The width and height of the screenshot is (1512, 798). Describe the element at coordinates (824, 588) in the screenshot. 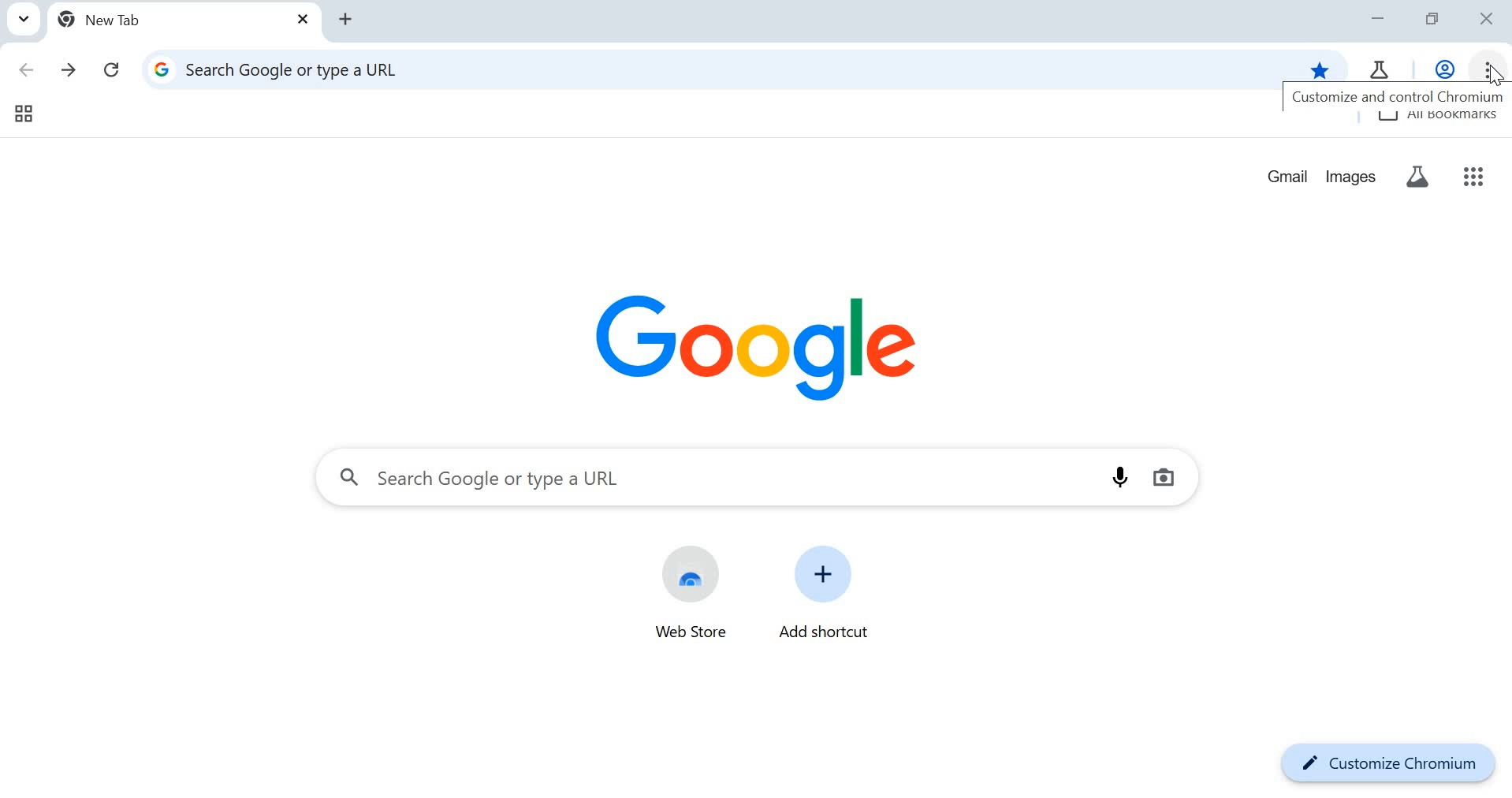

I see `add shortcut` at that location.